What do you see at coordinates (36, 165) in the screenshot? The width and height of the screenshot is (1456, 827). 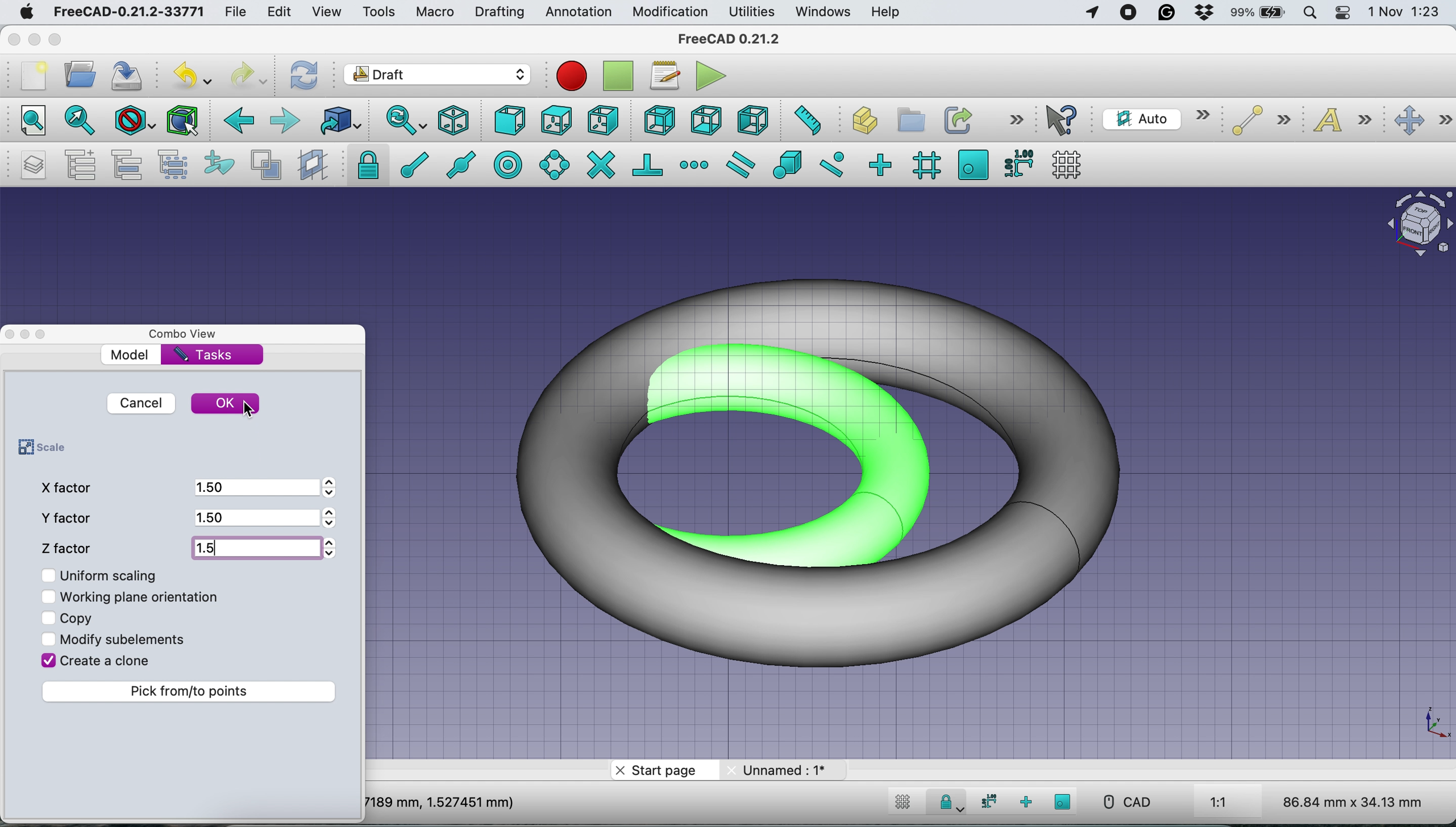 I see `manage layers` at bounding box center [36, 165].